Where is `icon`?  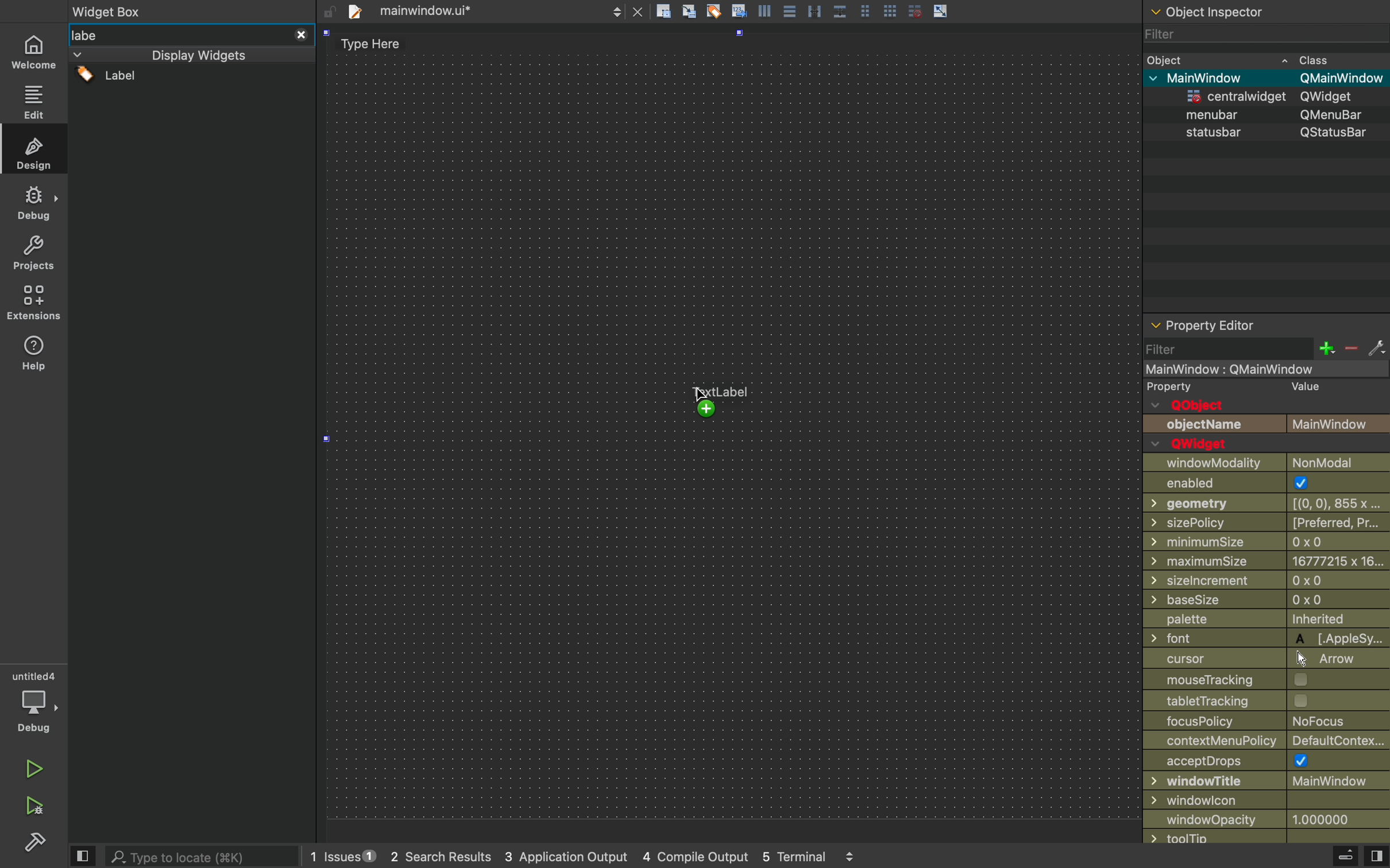 icon is located at coordinates (690, 12).